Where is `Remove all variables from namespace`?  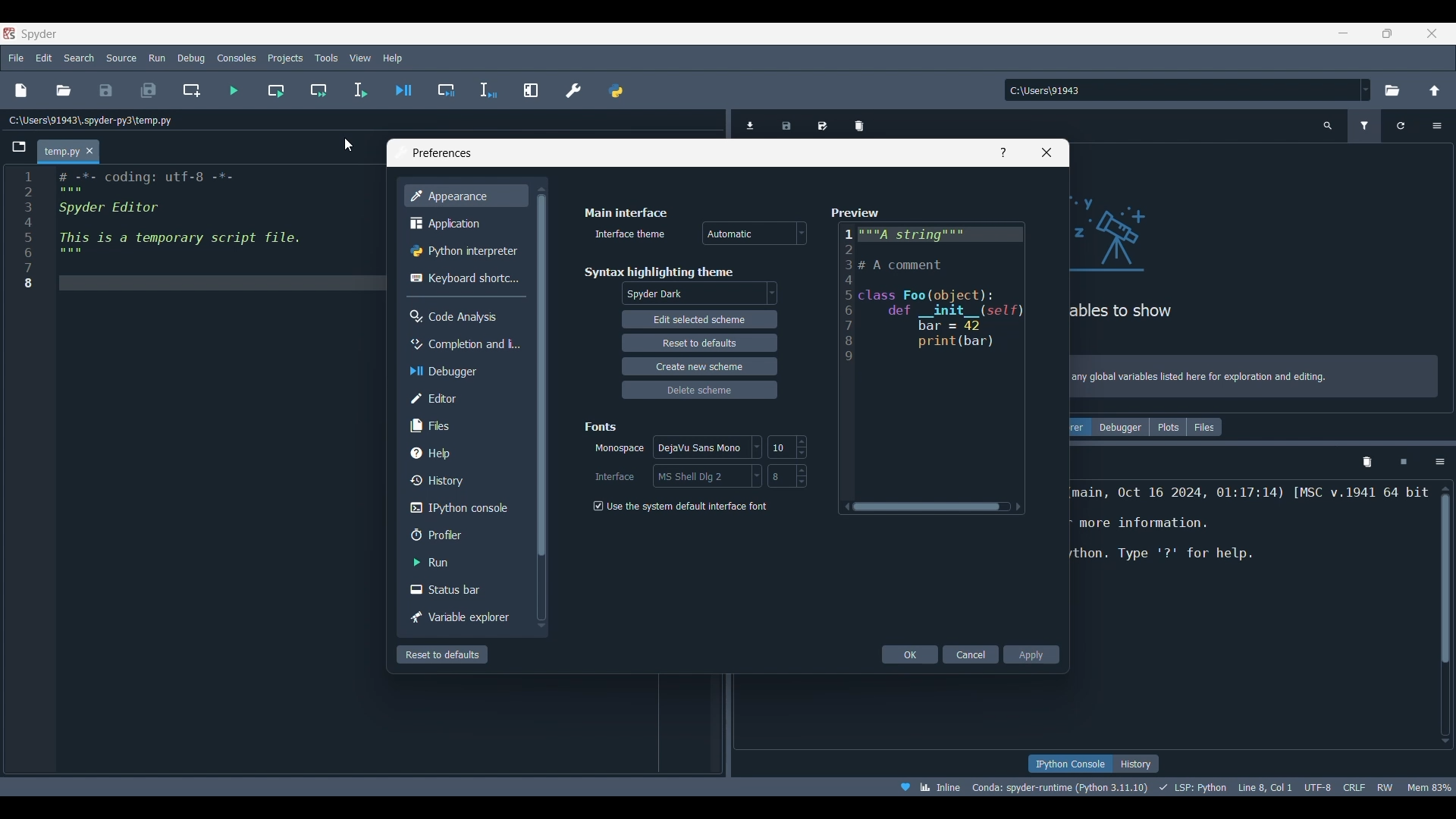 Remove all variables from namespace is located at coordinates (1367, 463).